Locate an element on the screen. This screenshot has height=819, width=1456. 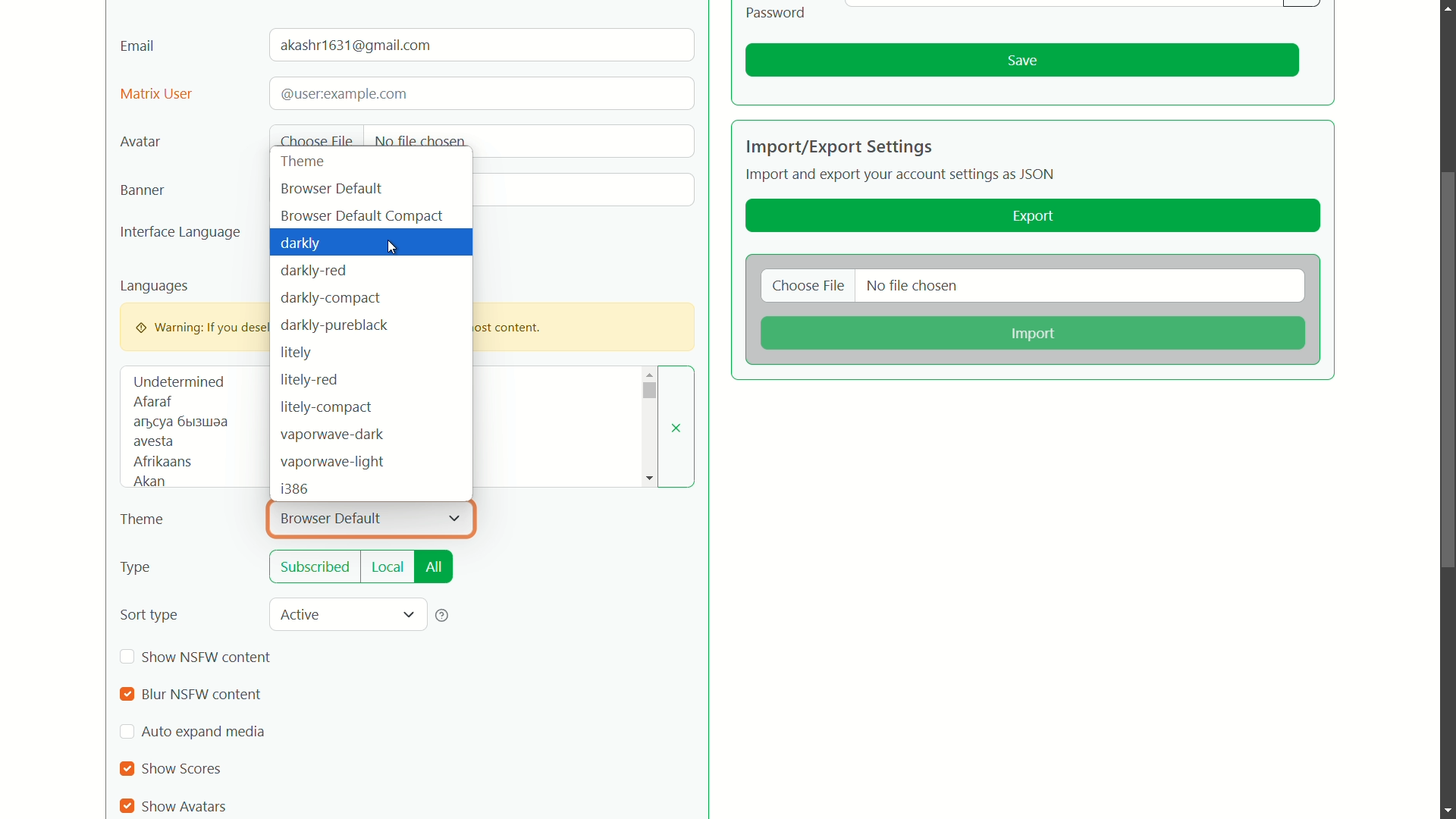
type is located at coordinates (136, 569).